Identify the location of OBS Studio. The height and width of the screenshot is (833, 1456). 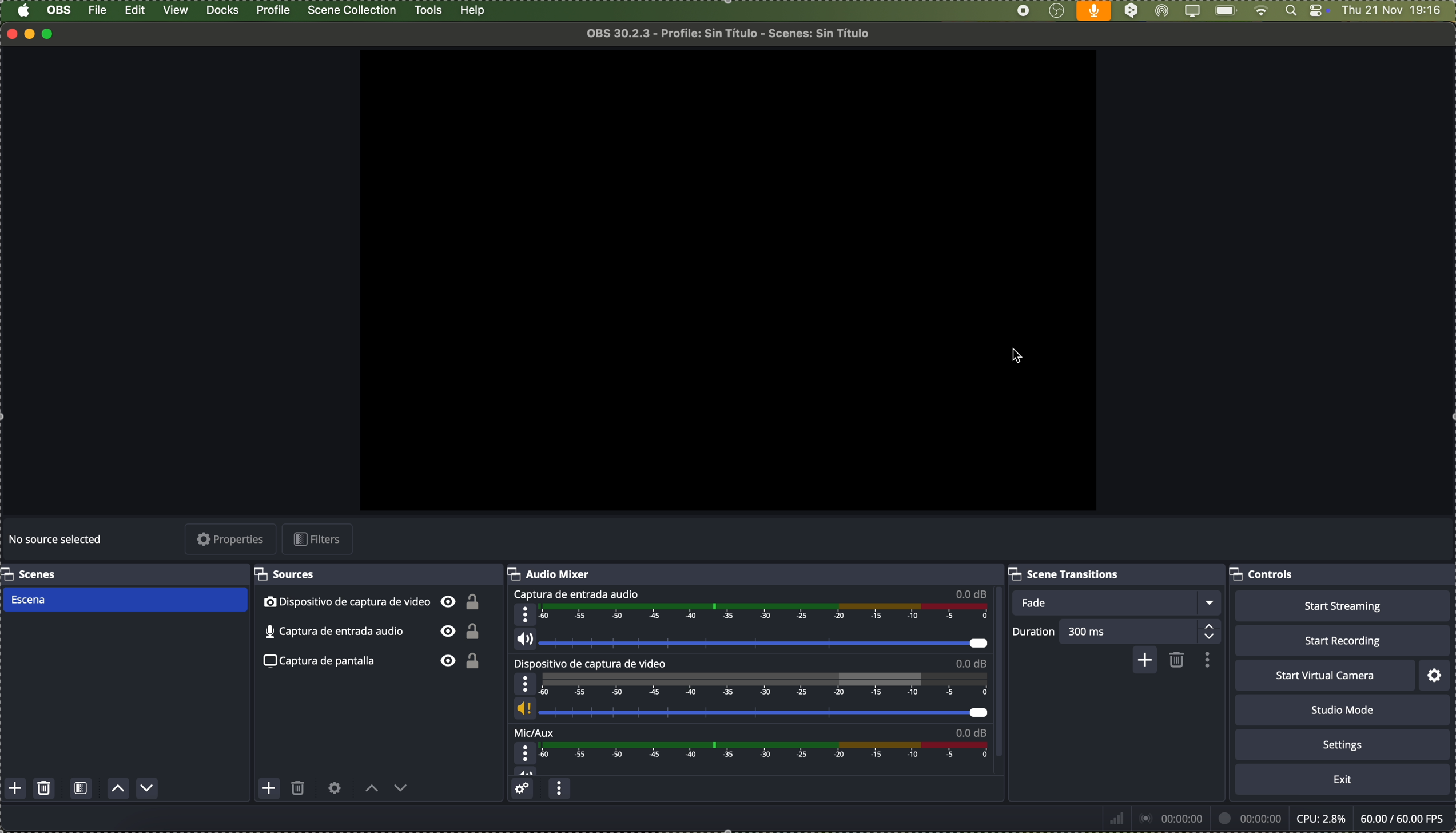
(1056, 11).